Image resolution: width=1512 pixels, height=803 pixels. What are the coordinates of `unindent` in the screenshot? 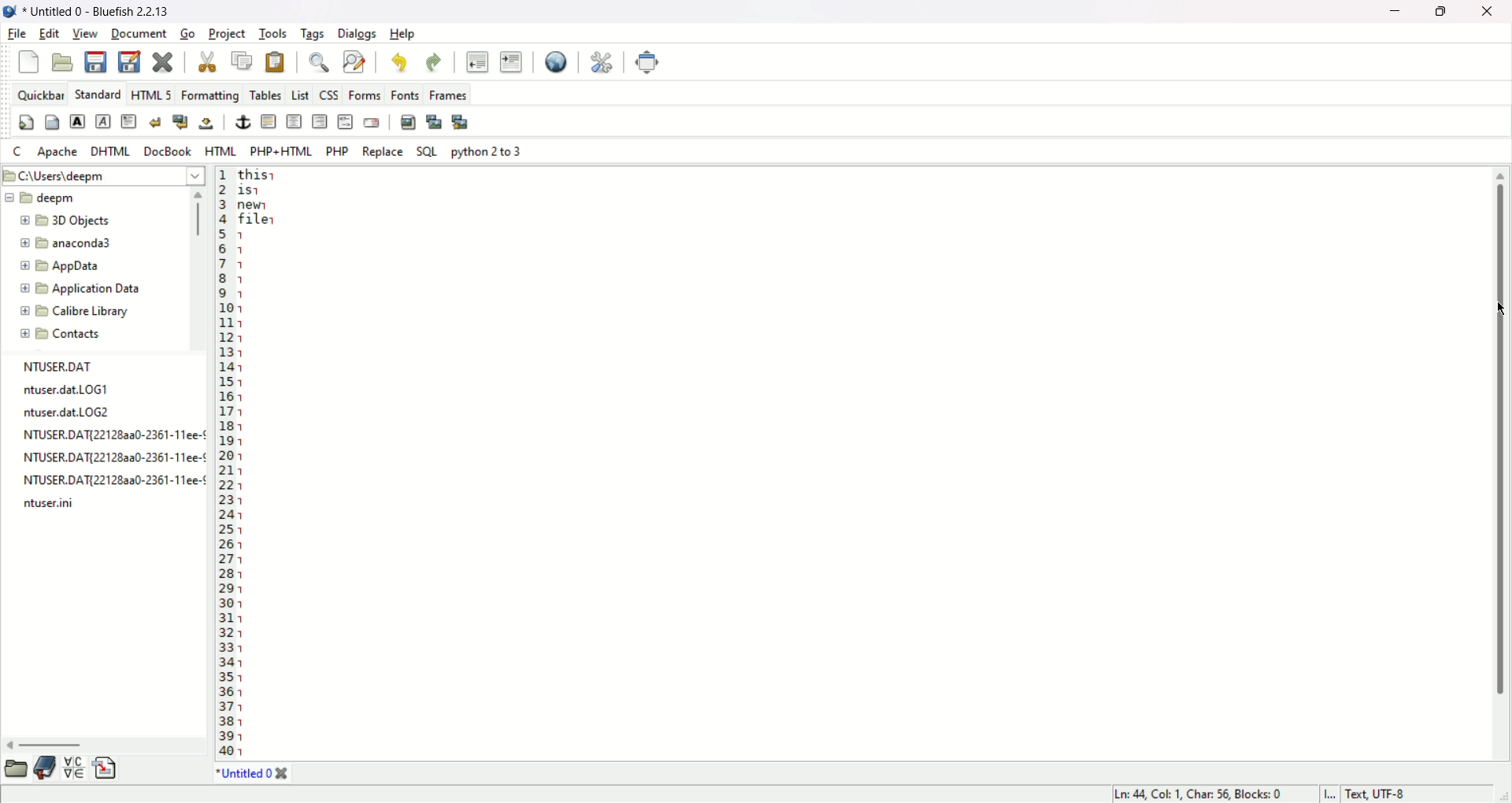 It's located at (476, 62).